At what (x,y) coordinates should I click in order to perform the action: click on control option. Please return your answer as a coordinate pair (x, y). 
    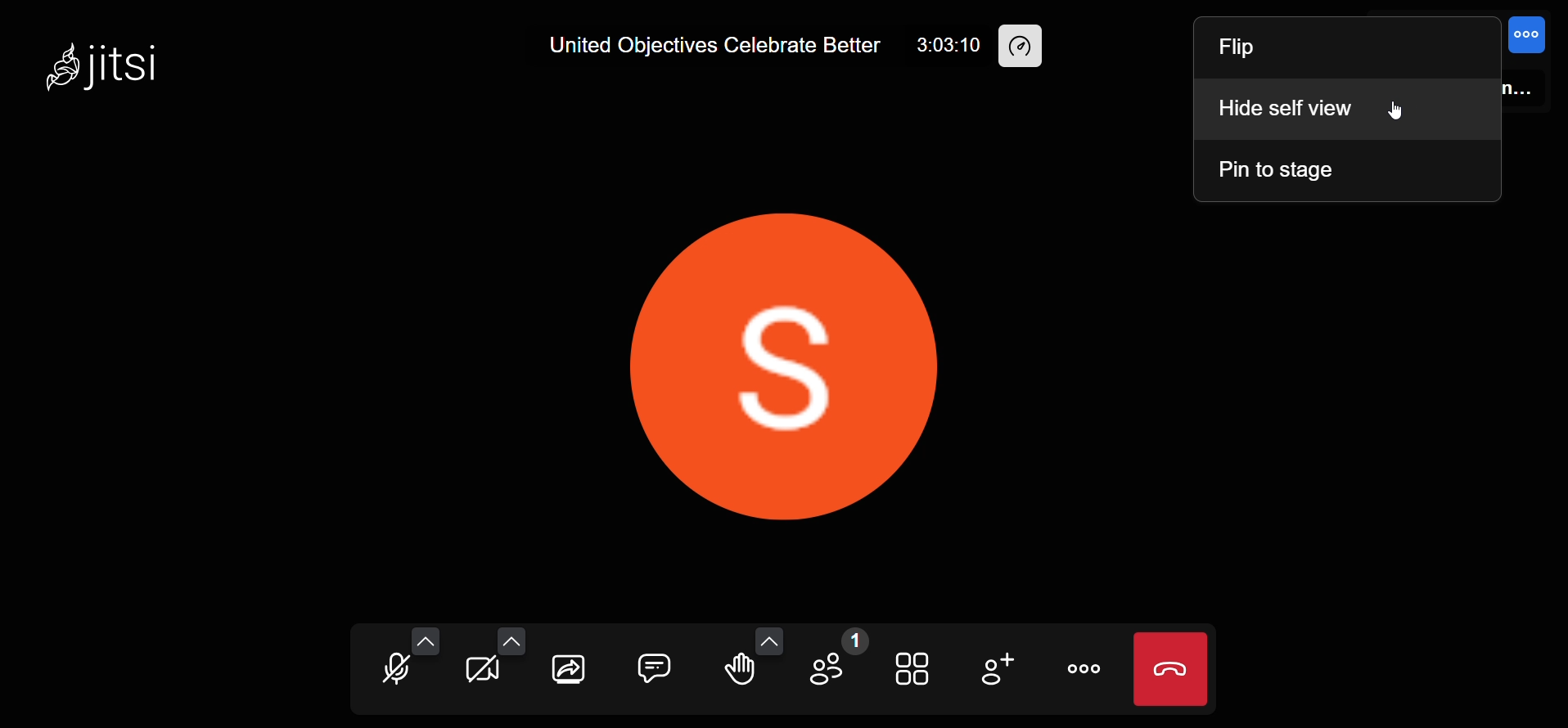
    Looking at the image, I should click on (1528, 37).